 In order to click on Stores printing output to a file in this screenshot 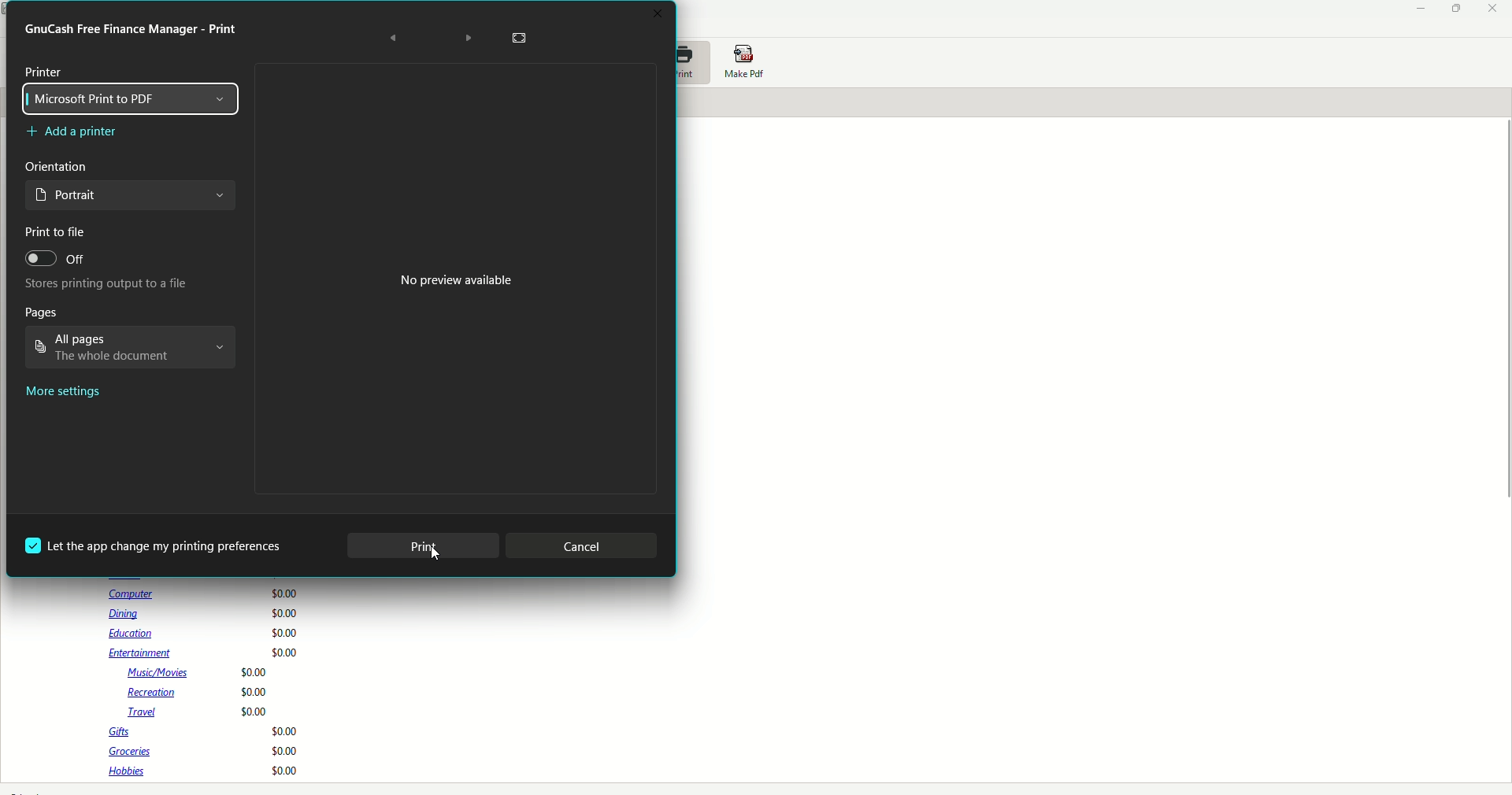, I will do `click(100, 285)`.